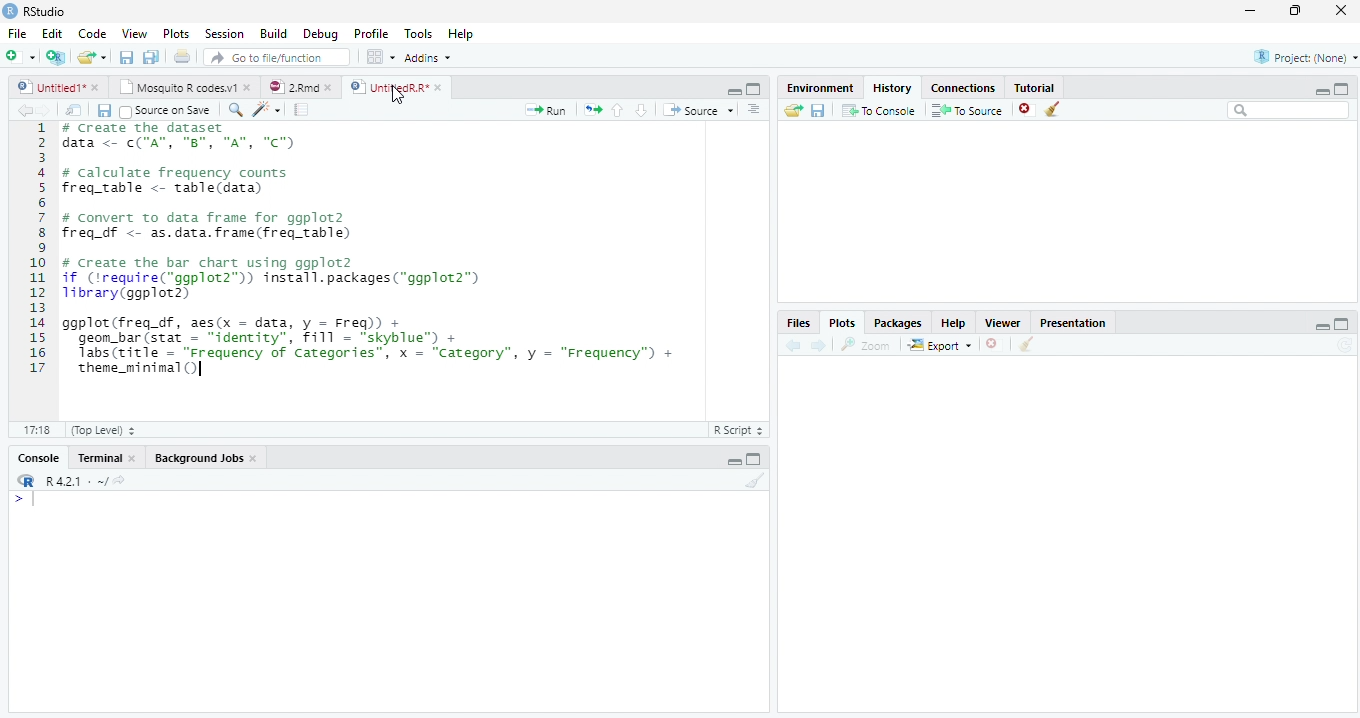 The width and height of the screenshot is (1360, 718). I want to click on Environment, so click(818, 88).